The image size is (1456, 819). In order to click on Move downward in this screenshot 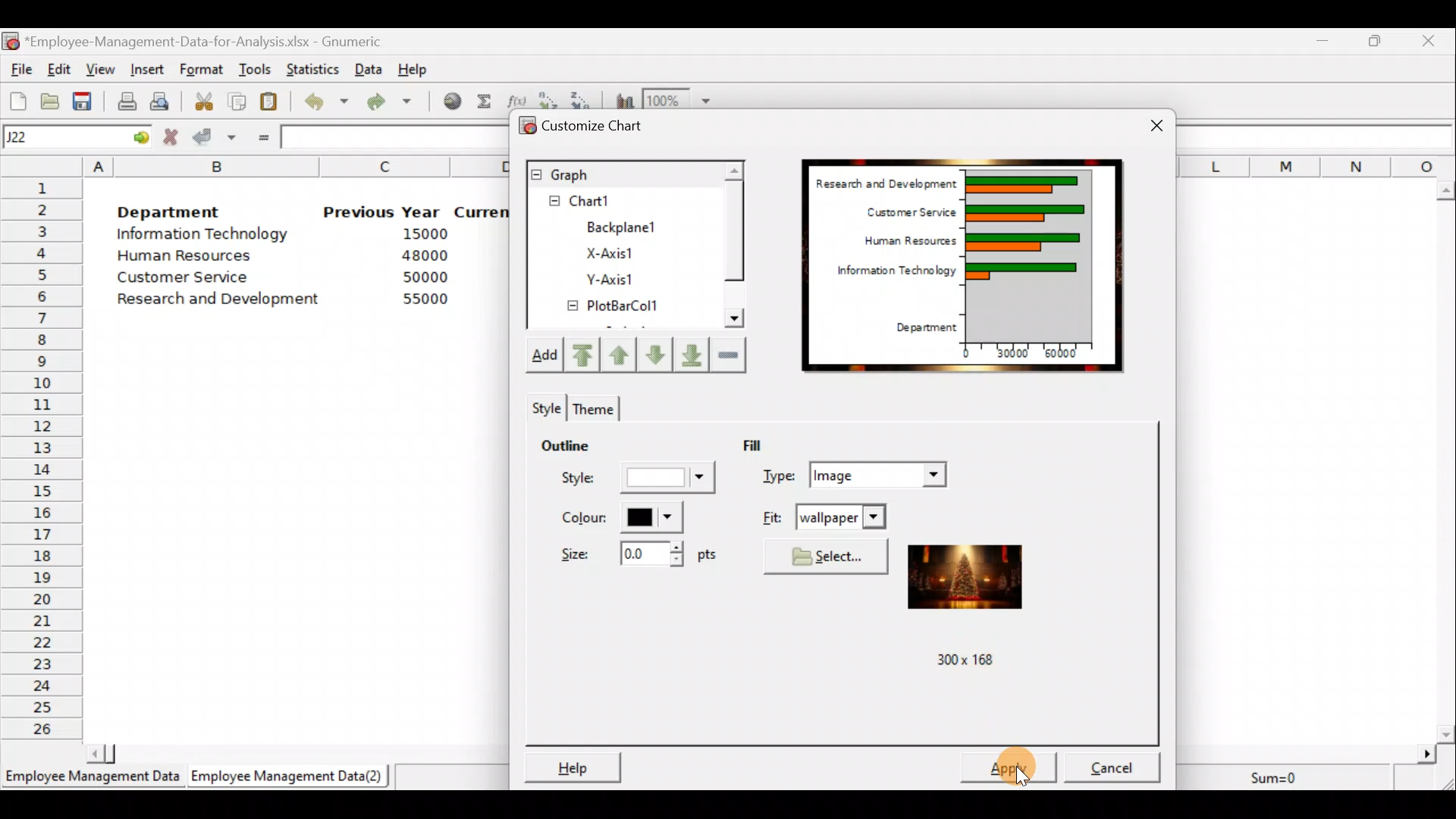, I will do `click(688, 352)`.